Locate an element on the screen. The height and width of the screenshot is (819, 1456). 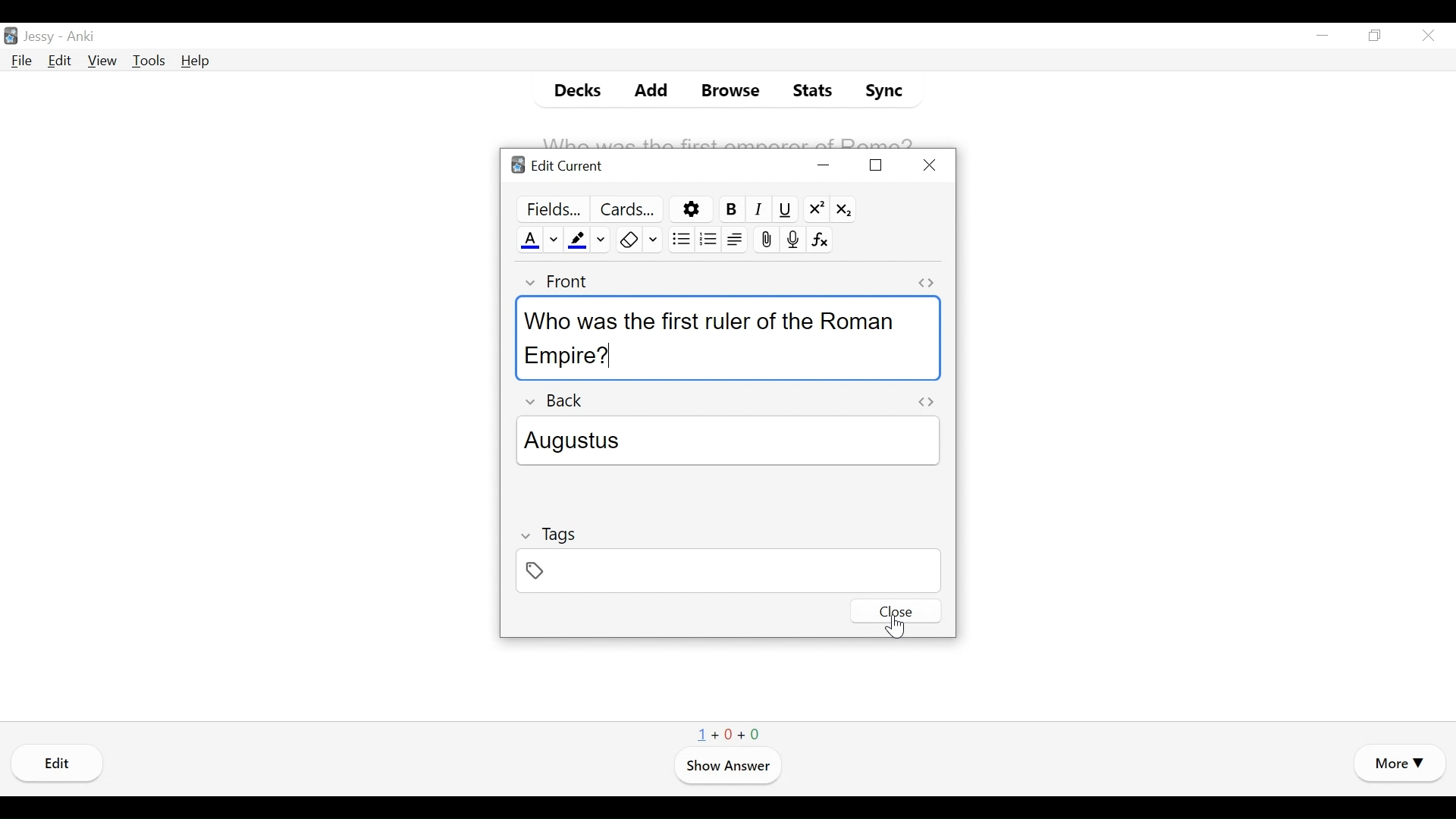
Underline is located at coordinates (784, 209).